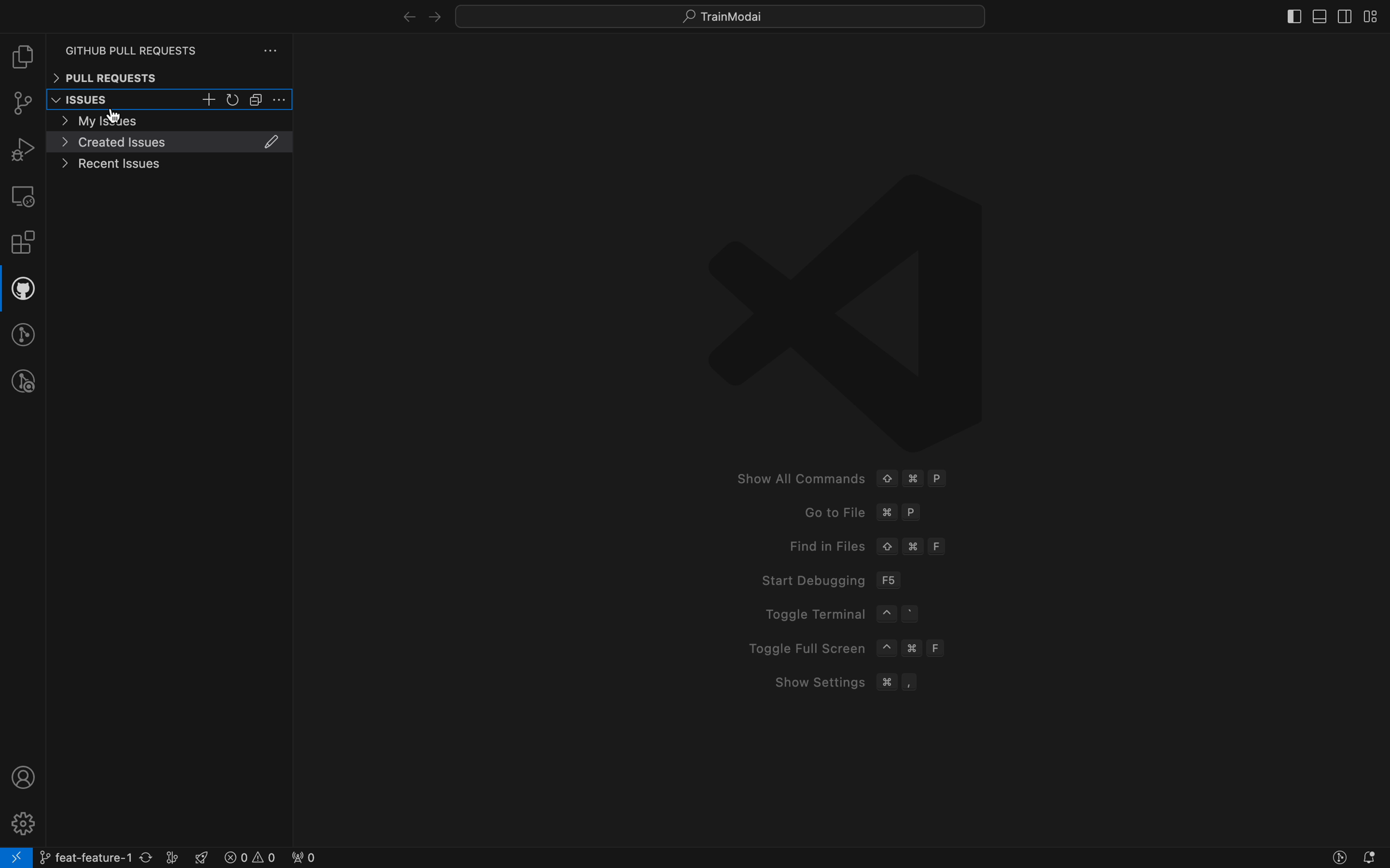  I want to click on toggle secondary bar, so click(1342, 17).